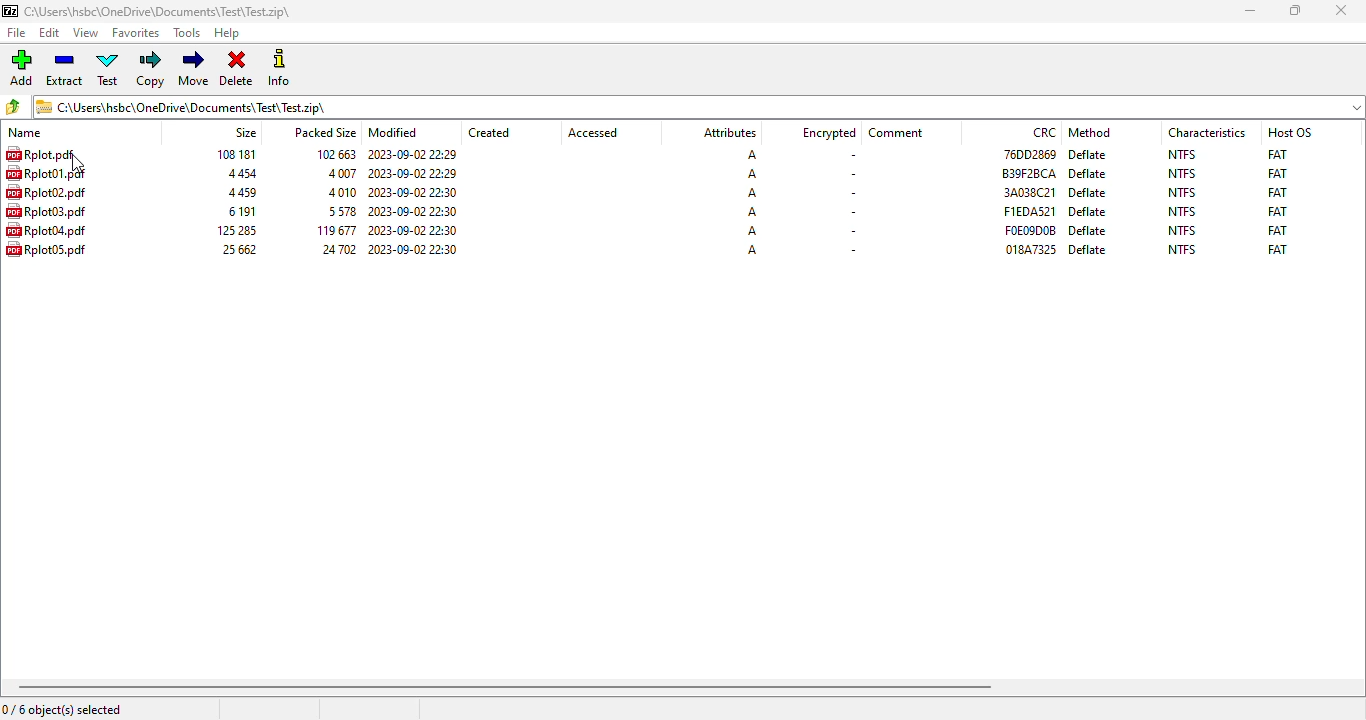 Image resolution: width=1366 pixels, height=720 pixels. What do you see at coordinates (1029, 173) in the screenshot?
I see `CRC` at bounding box center [1029, 173].